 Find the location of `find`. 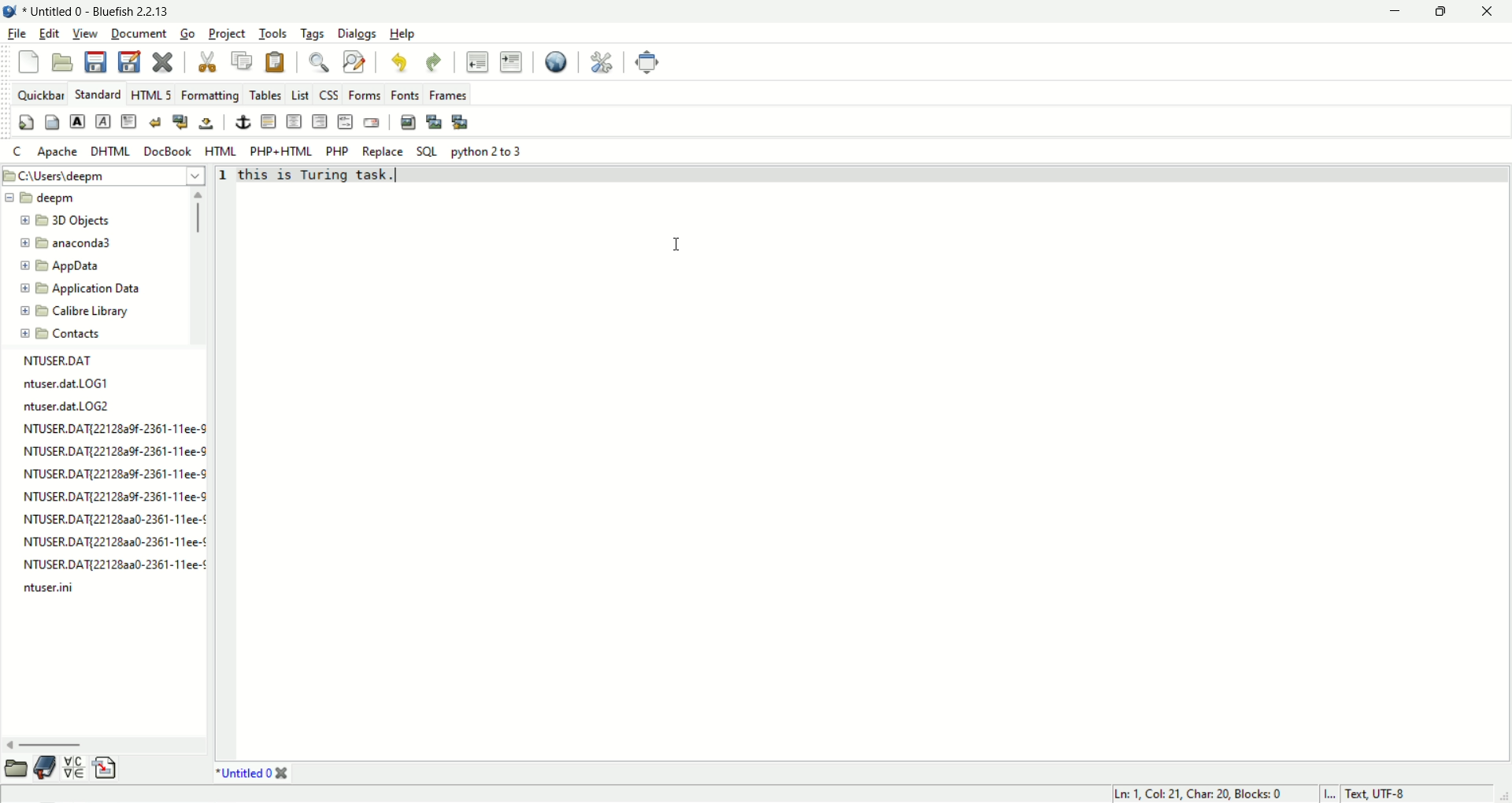

find is located at coordinates (323, 63).